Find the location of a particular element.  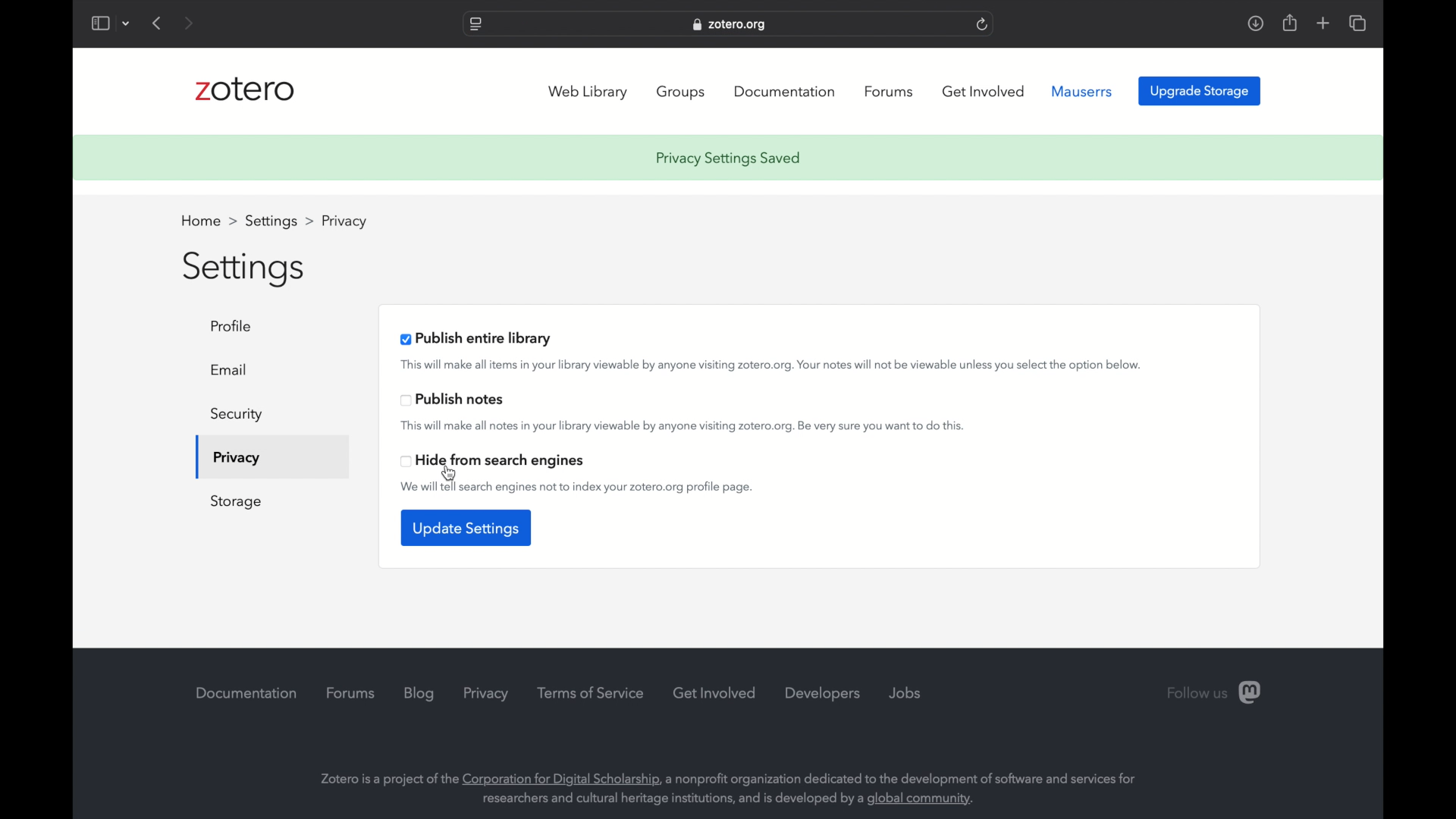

forums is located at coordinates (891, 92).